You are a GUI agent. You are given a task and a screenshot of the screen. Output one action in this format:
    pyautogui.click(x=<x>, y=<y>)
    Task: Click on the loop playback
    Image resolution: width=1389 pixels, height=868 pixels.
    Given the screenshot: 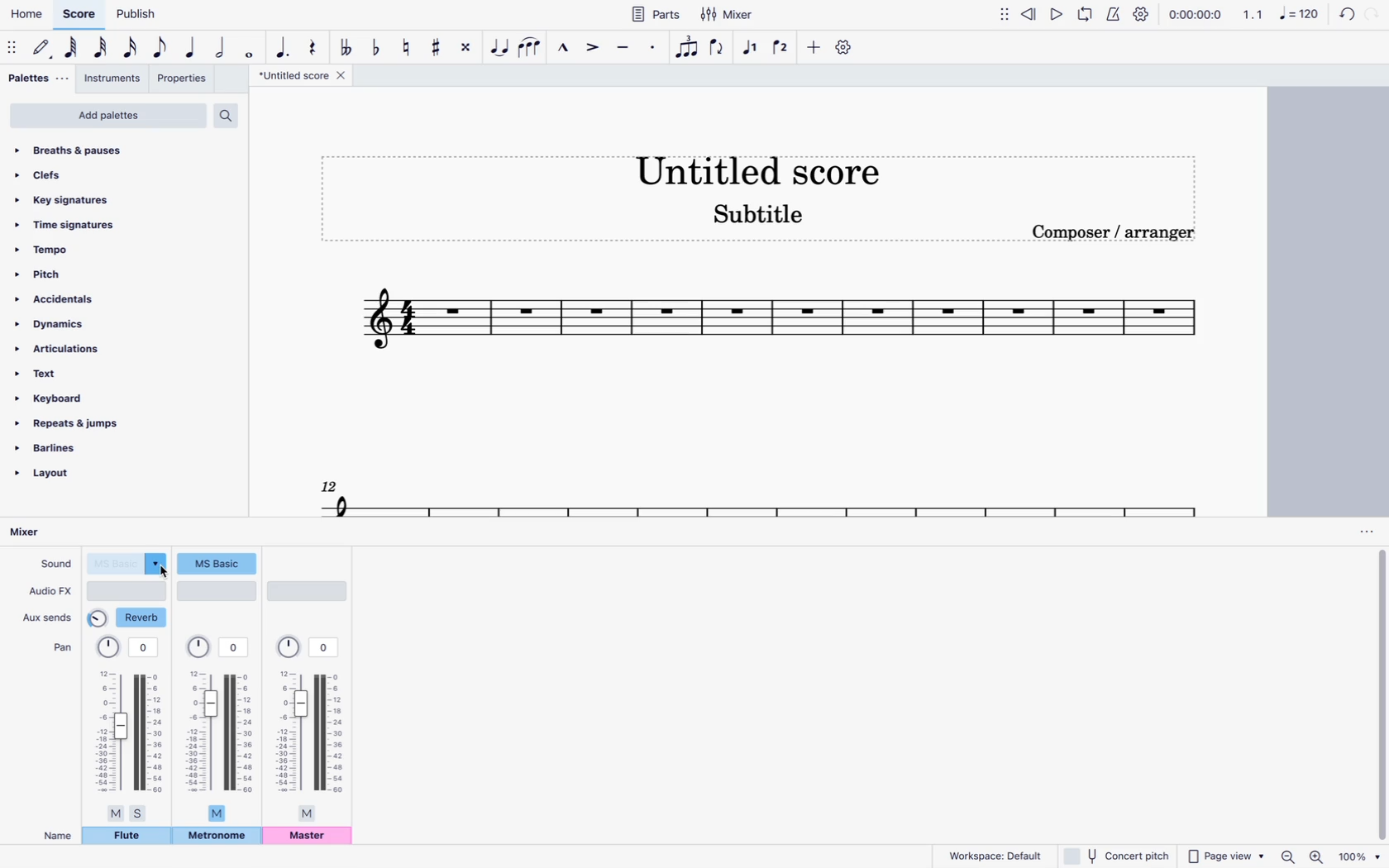 What is the action you would take?
    pyautogui.click(x=1085, y=13)
    